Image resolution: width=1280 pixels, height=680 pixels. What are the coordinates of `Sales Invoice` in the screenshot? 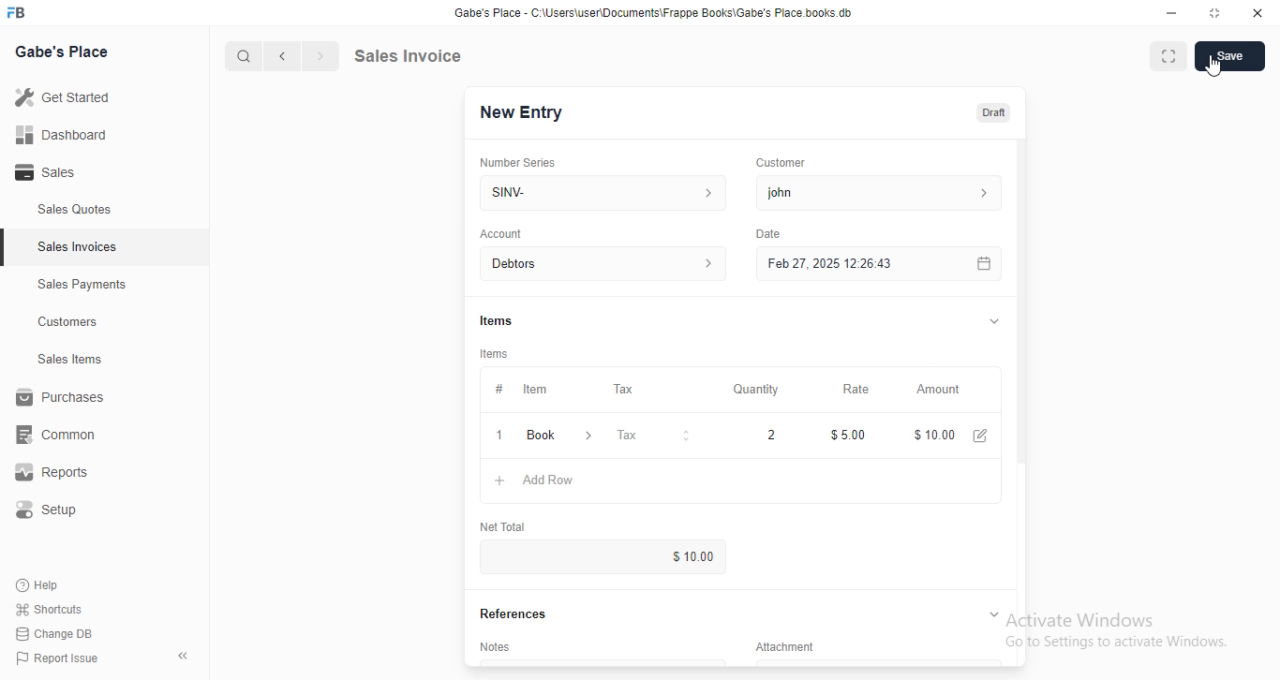 It's located at (451, 56).